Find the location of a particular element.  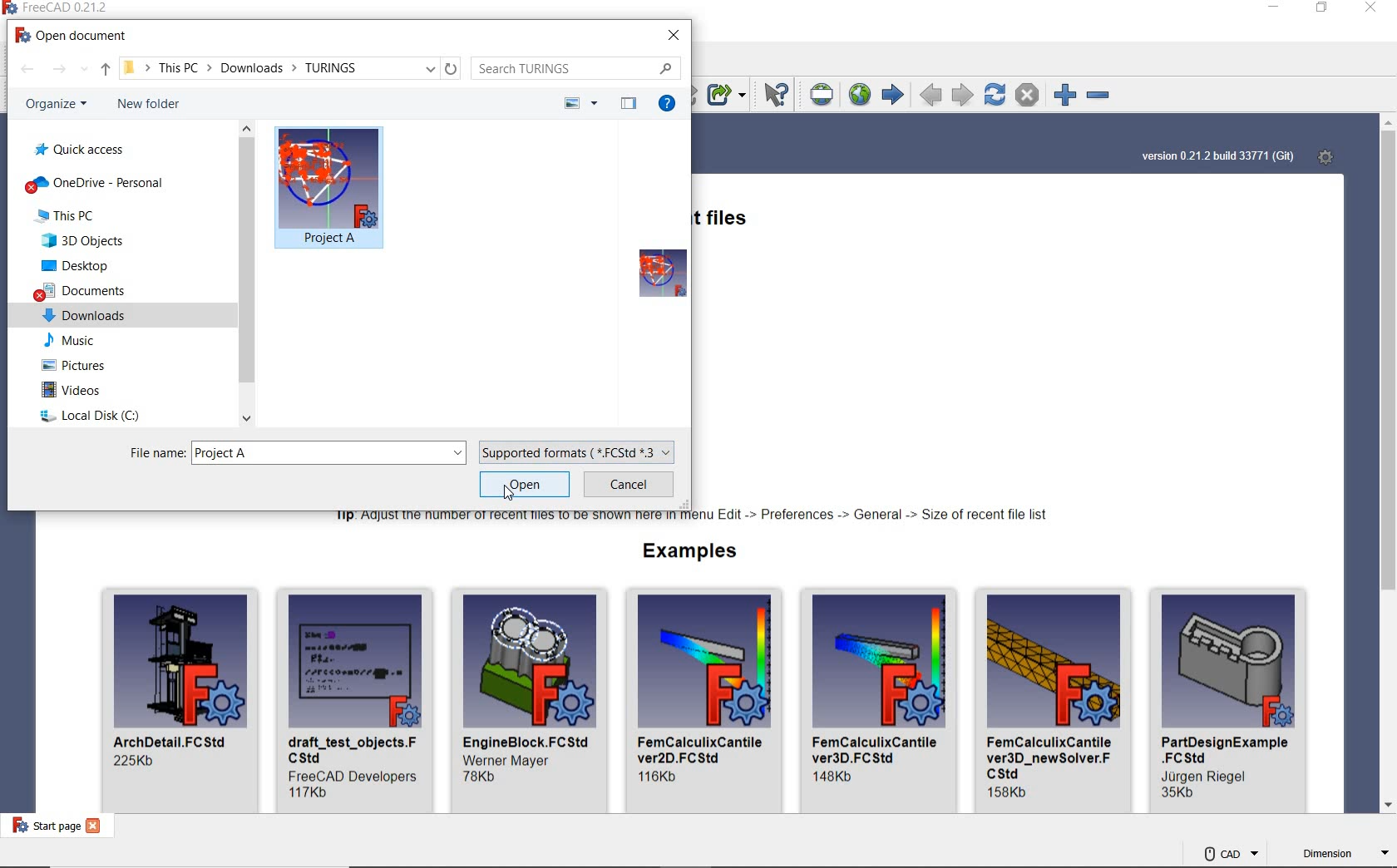

image is located at coordinates (1229, 662).